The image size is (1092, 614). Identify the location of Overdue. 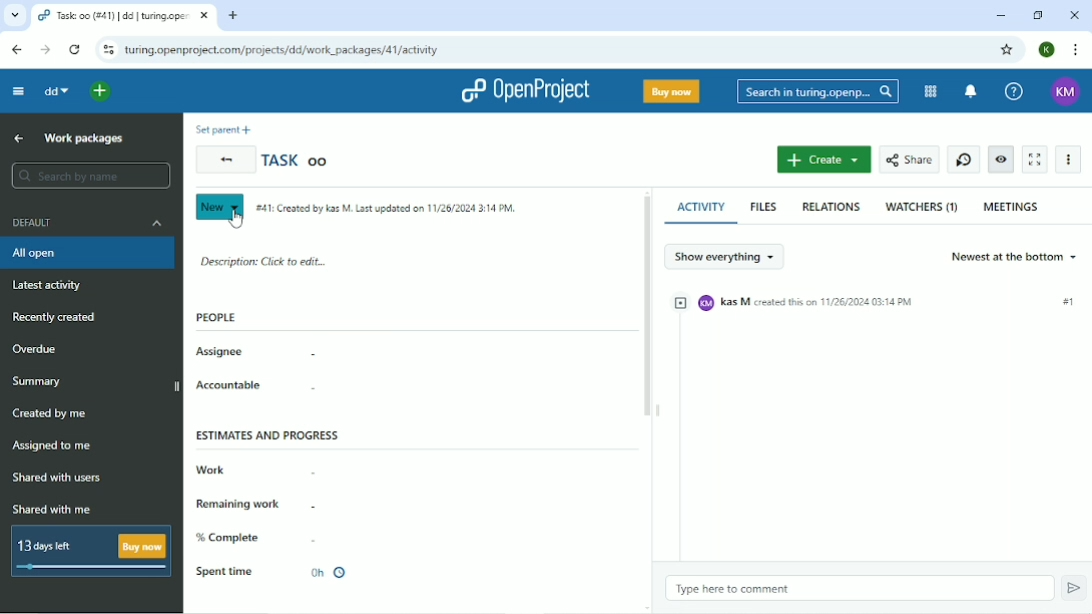
(40, 349).